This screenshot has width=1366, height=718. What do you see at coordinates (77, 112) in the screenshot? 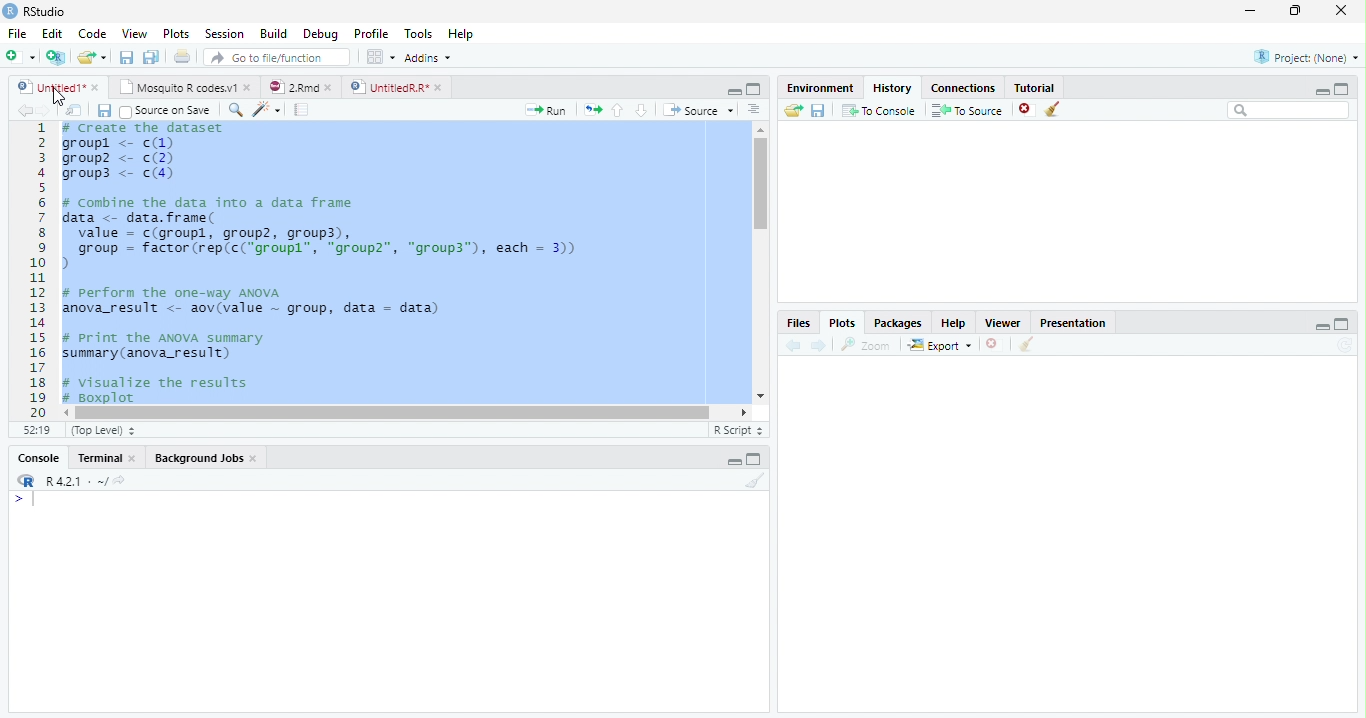
I see `Show in new window` at bounding box center [77, 112].